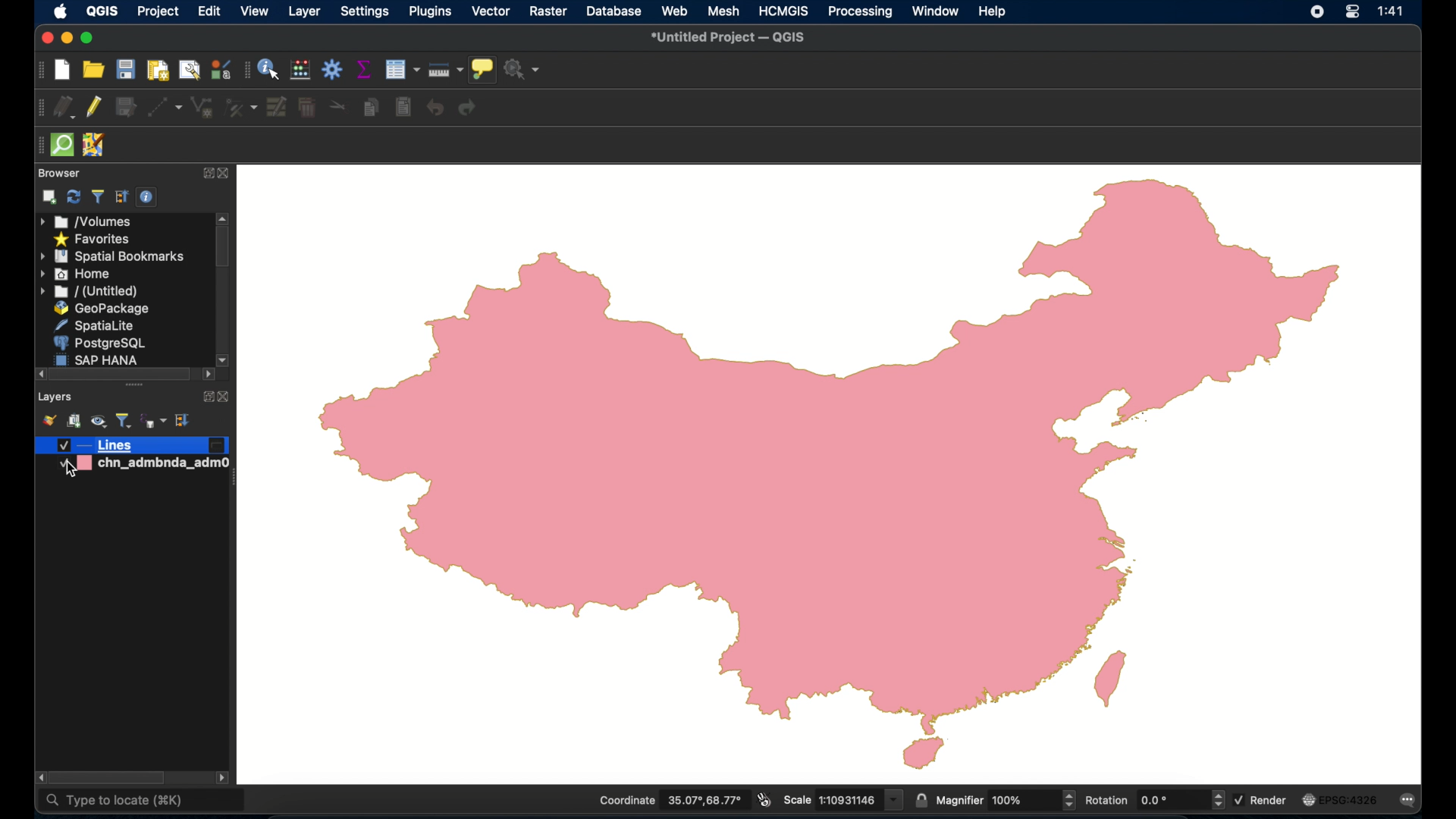 This screenshot has width=1456, height=819. I want to click on filter bowser, so click(96, 196).